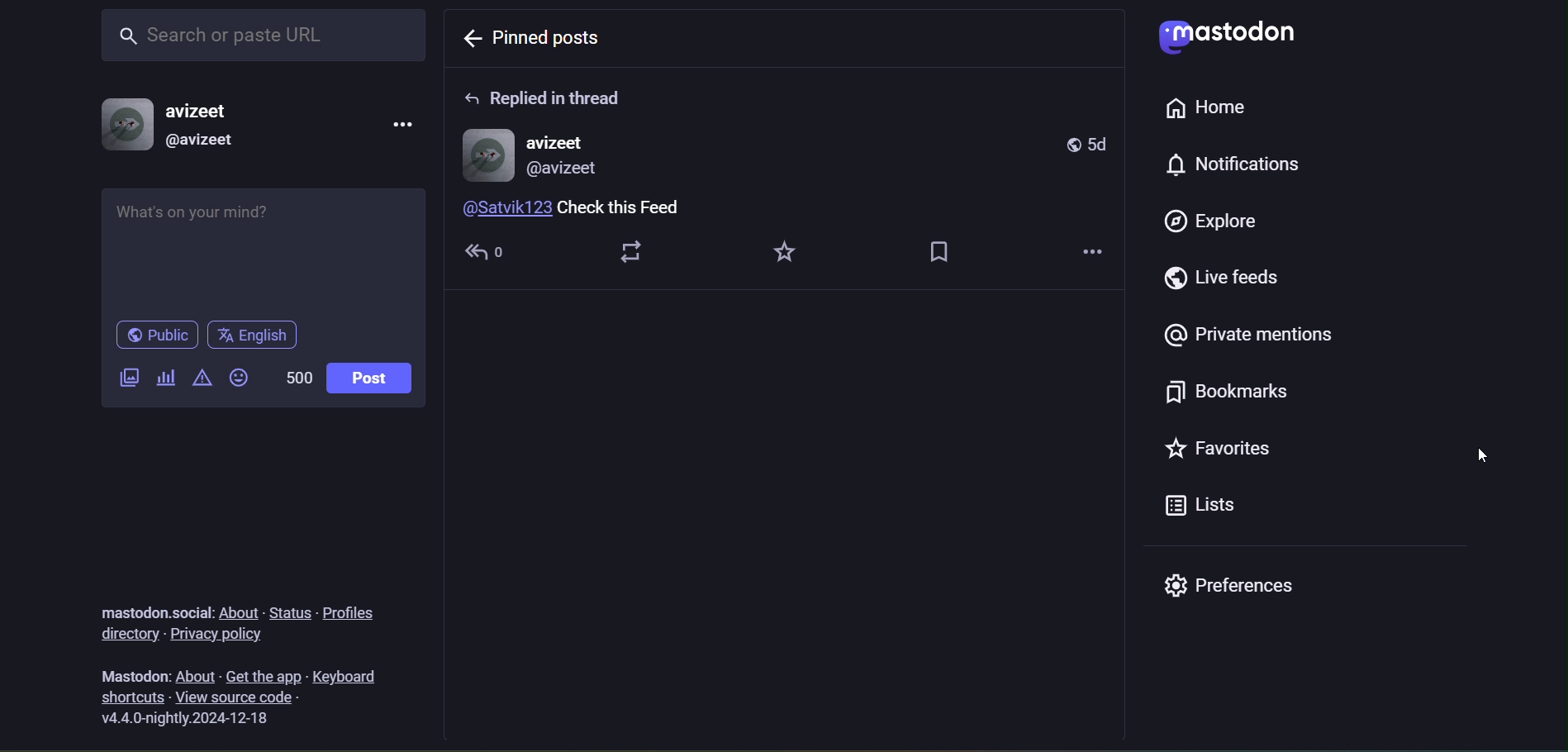  What do you see at coordinates (230, 635) in the screenshot?
I see `privacy policy` at bounding box center [230, 635].